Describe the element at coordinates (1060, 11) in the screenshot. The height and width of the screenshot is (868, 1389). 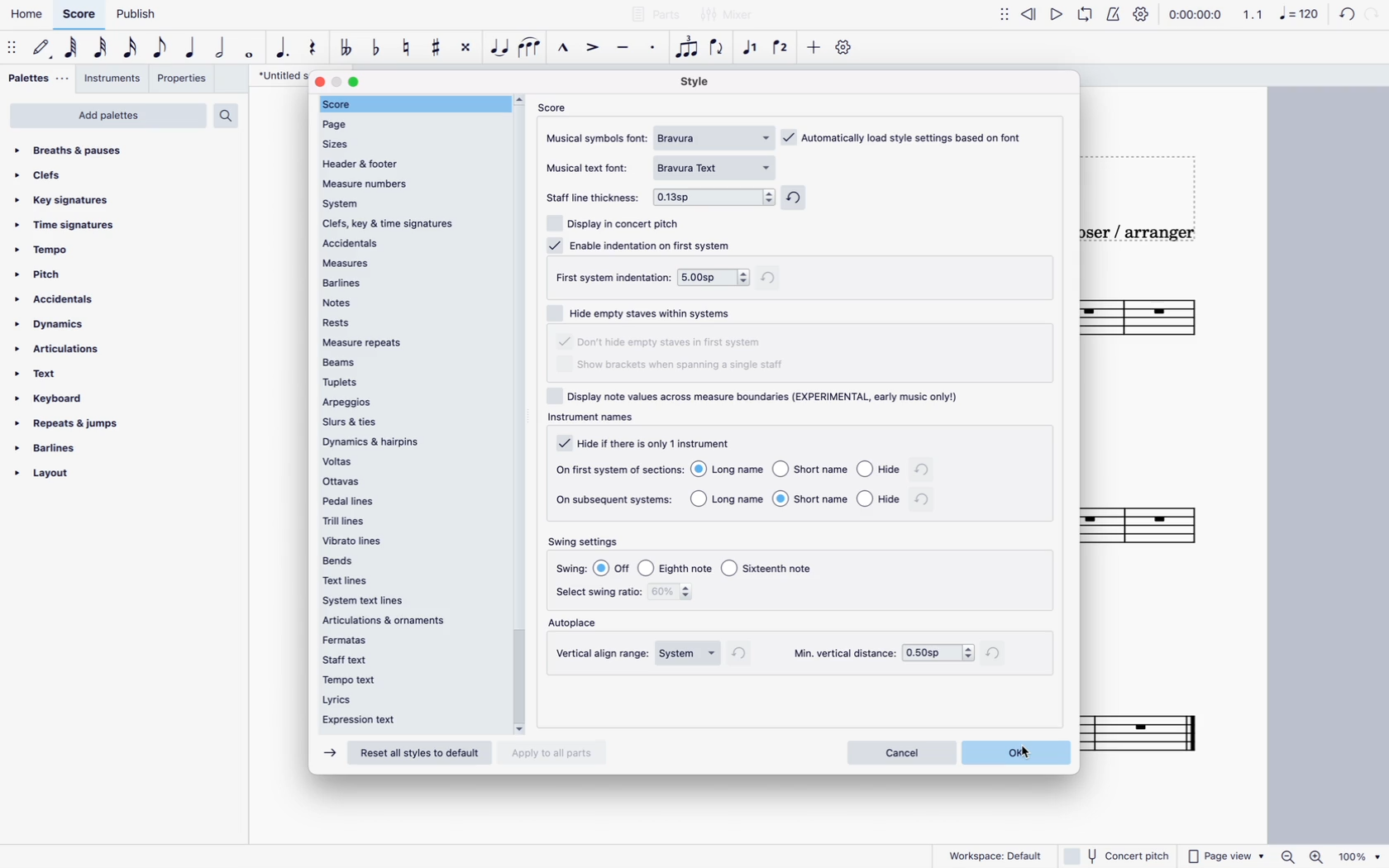
I see `forward` at that location.